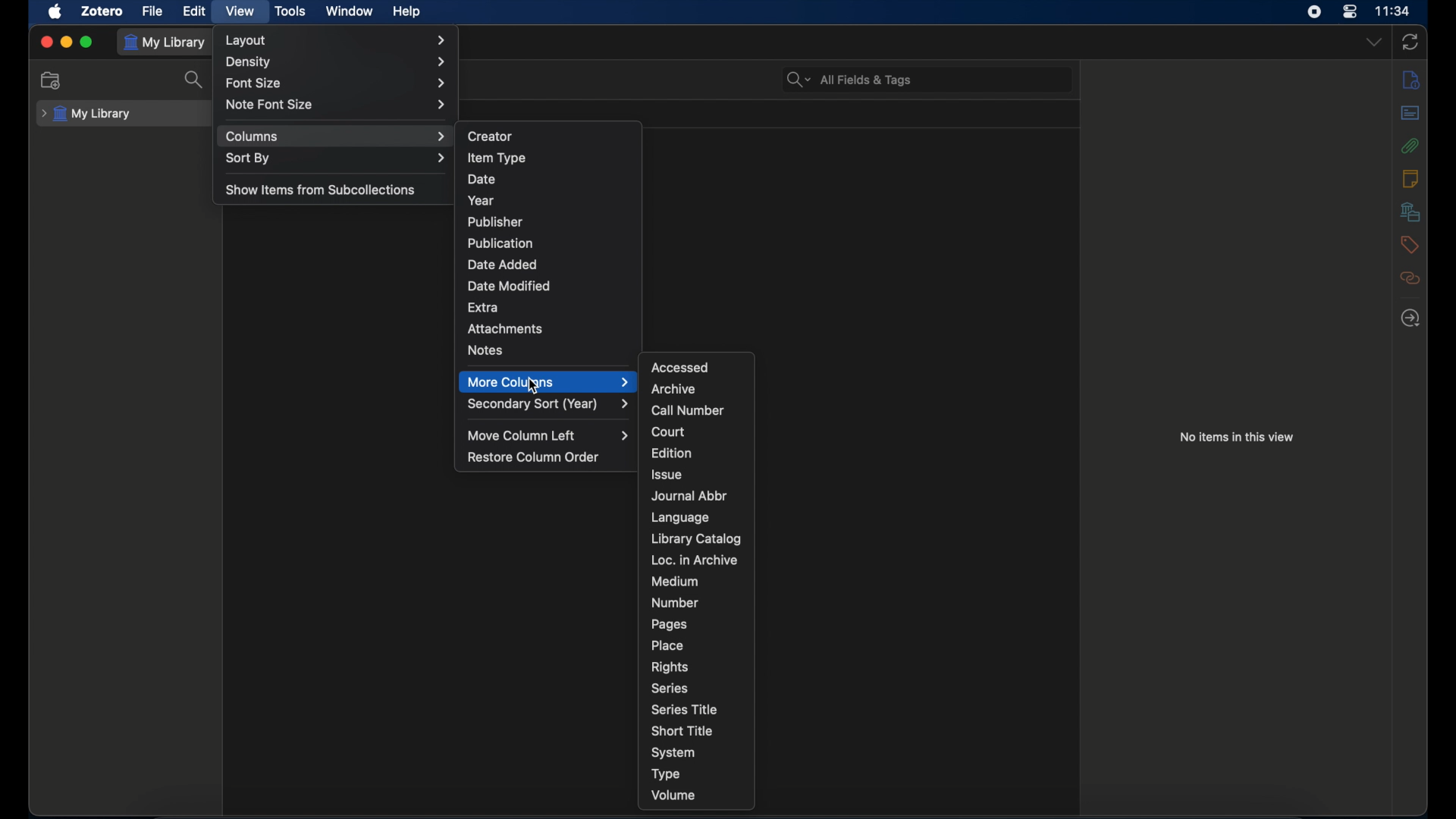 Image resolution: width=1456 pixels, height=819 pixels. What do you see at coordinates (497, 158) in the screenshot?
I see `item type` at bounding box center [497, 158].